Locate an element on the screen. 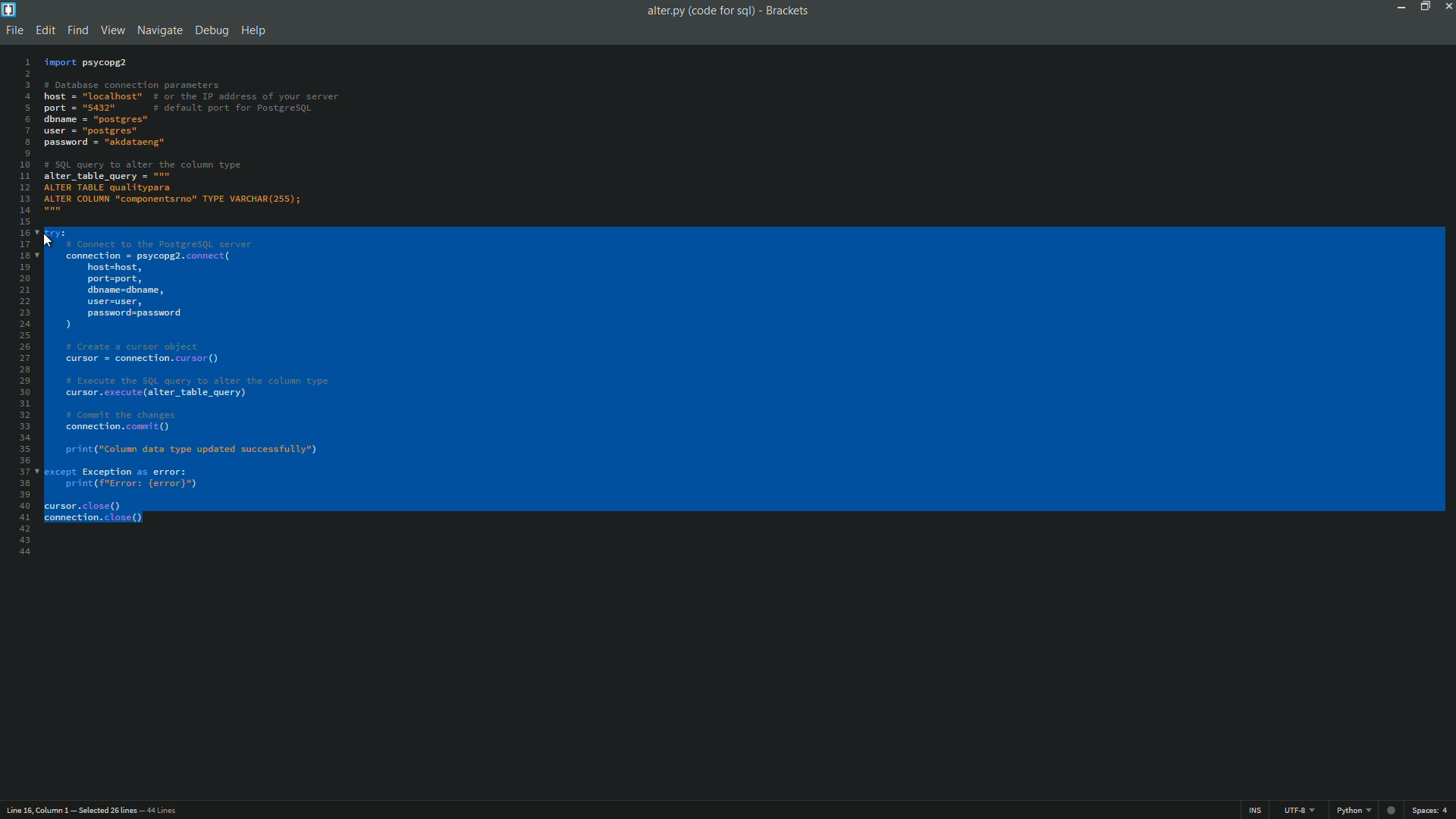 The image size is (1456, 819). app icon is located at coordinates (9, 9).